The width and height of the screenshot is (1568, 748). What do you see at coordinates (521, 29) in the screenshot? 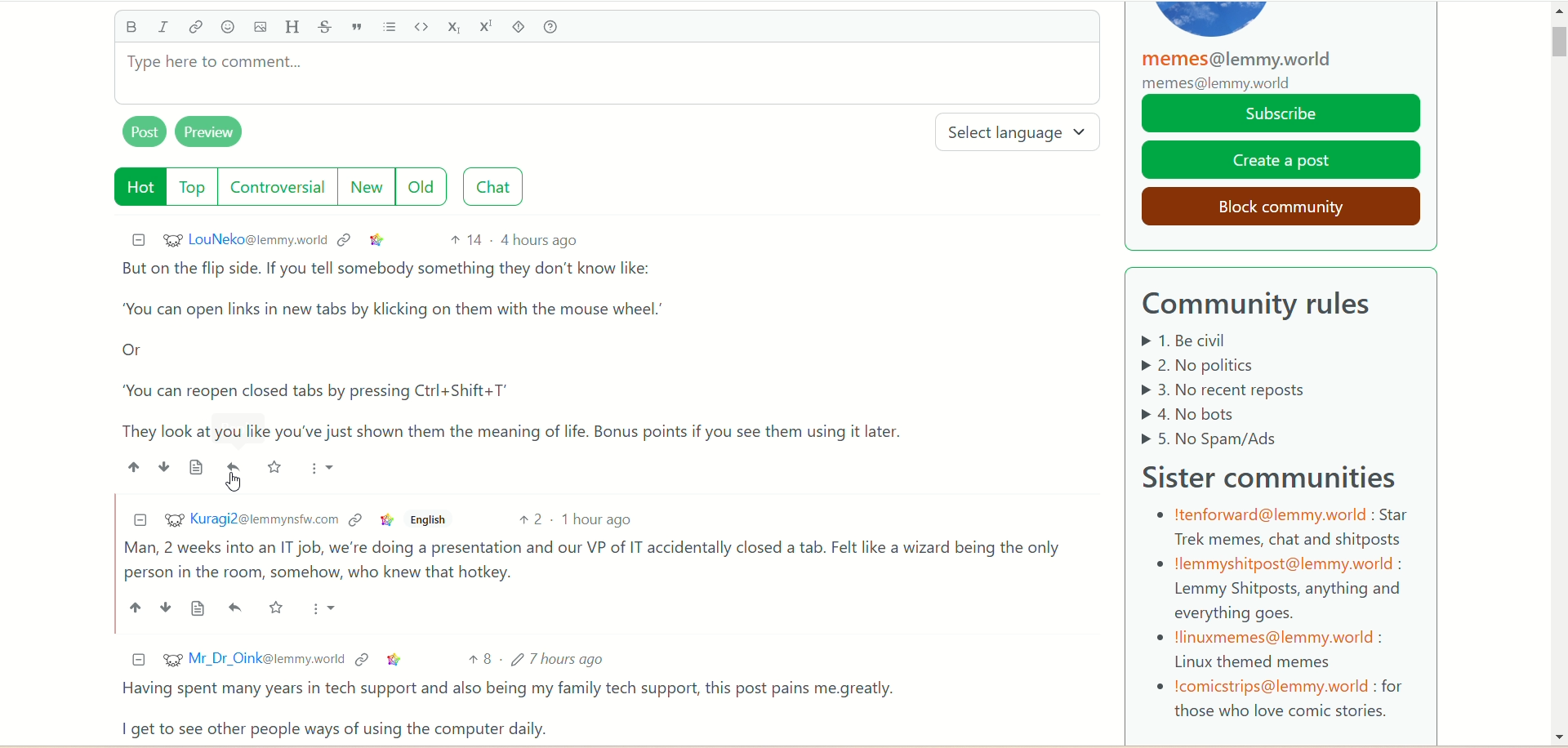
I see `spoiler` at bounding box center [521, 29].